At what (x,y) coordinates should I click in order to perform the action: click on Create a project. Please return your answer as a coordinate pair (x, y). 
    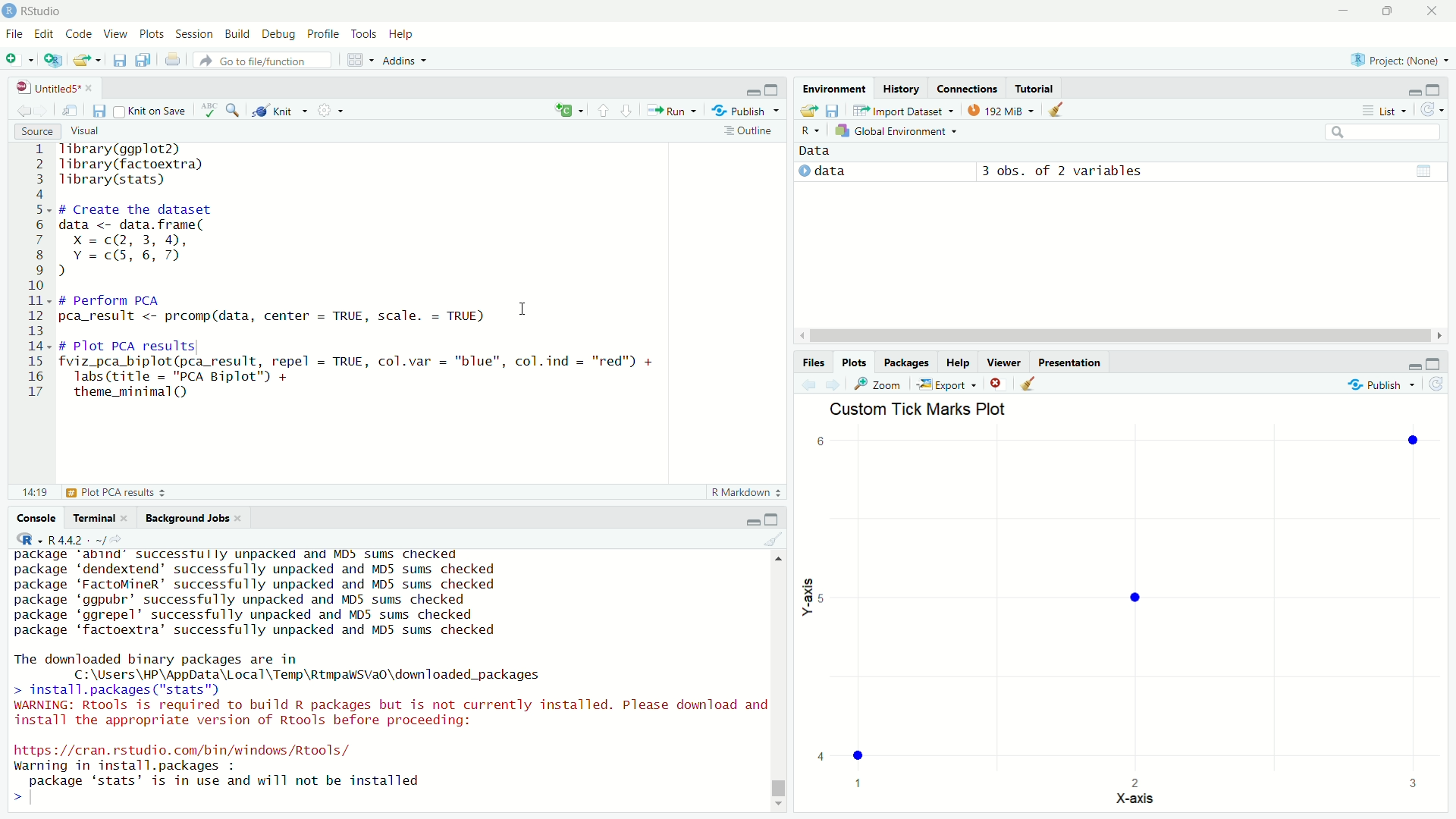
    Looking at the image, I should click on (53, 60).